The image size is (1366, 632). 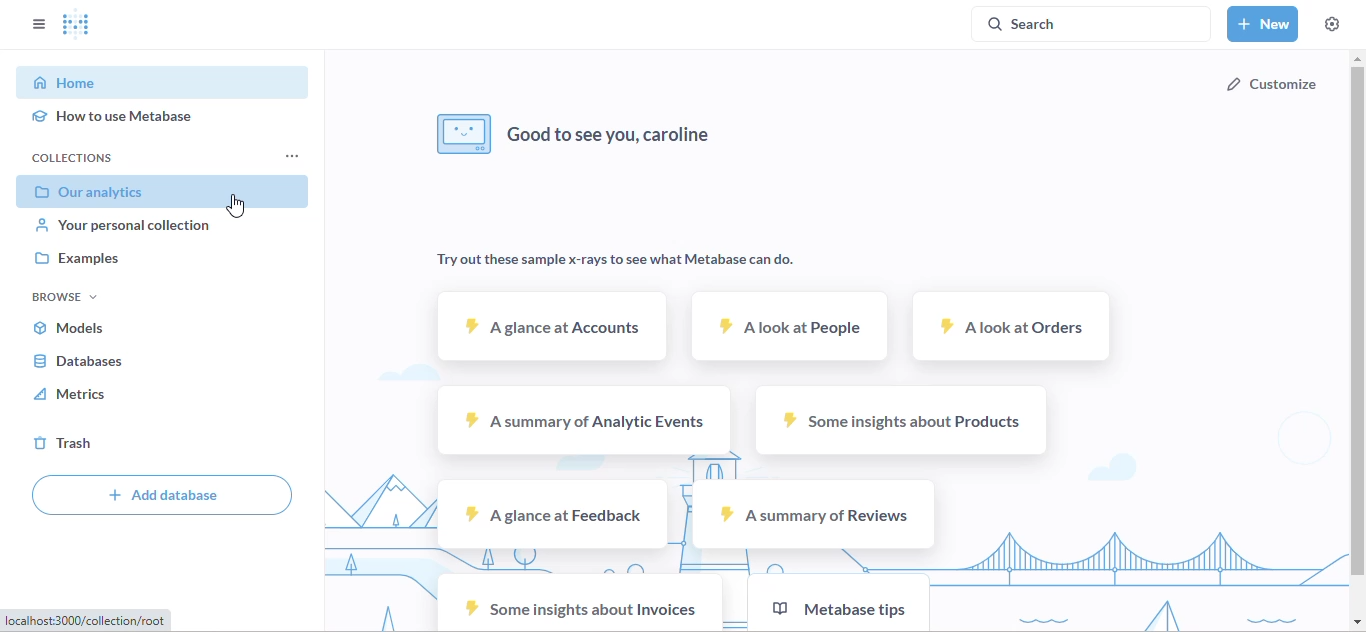 What do you see at coordinates (39, 23) in the screenshot?
I see `close sidebar` at bounding box center [39, 23].